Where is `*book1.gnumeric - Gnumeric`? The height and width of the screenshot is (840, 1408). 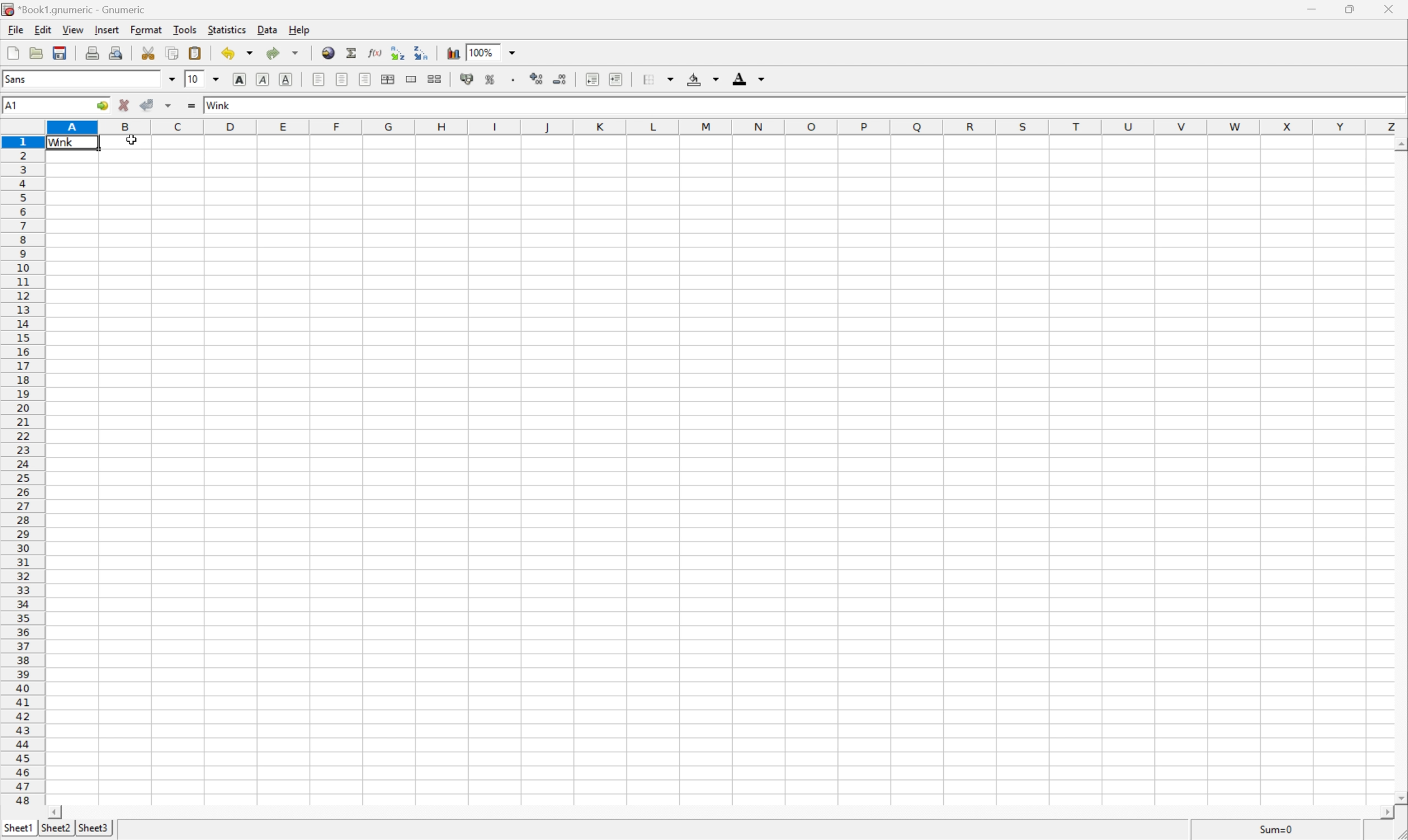
*book1.gnumeric - Gnumeric is located at coordinates (74, 9).